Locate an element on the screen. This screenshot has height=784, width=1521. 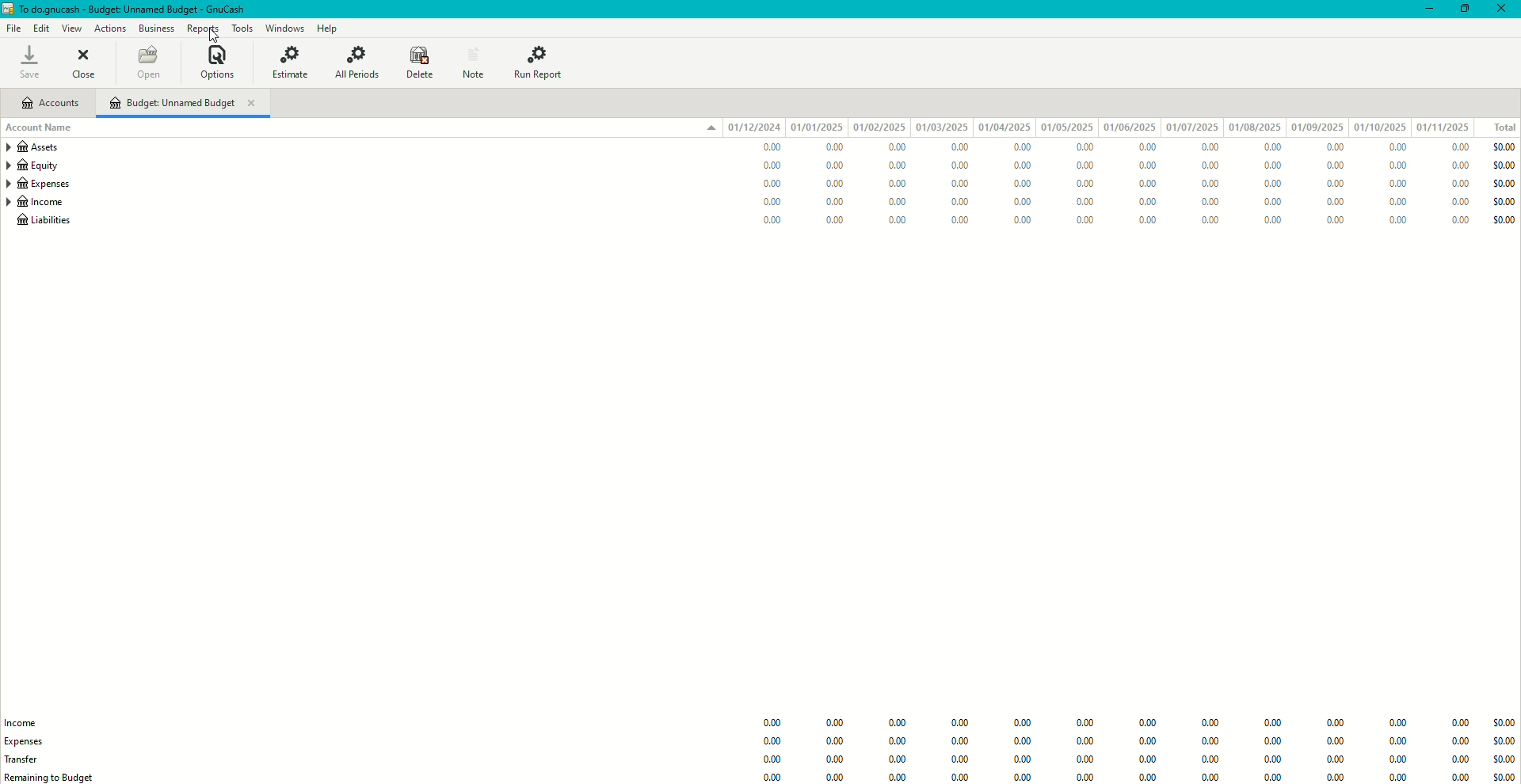
0.00 is located at coordinates (898, 777).